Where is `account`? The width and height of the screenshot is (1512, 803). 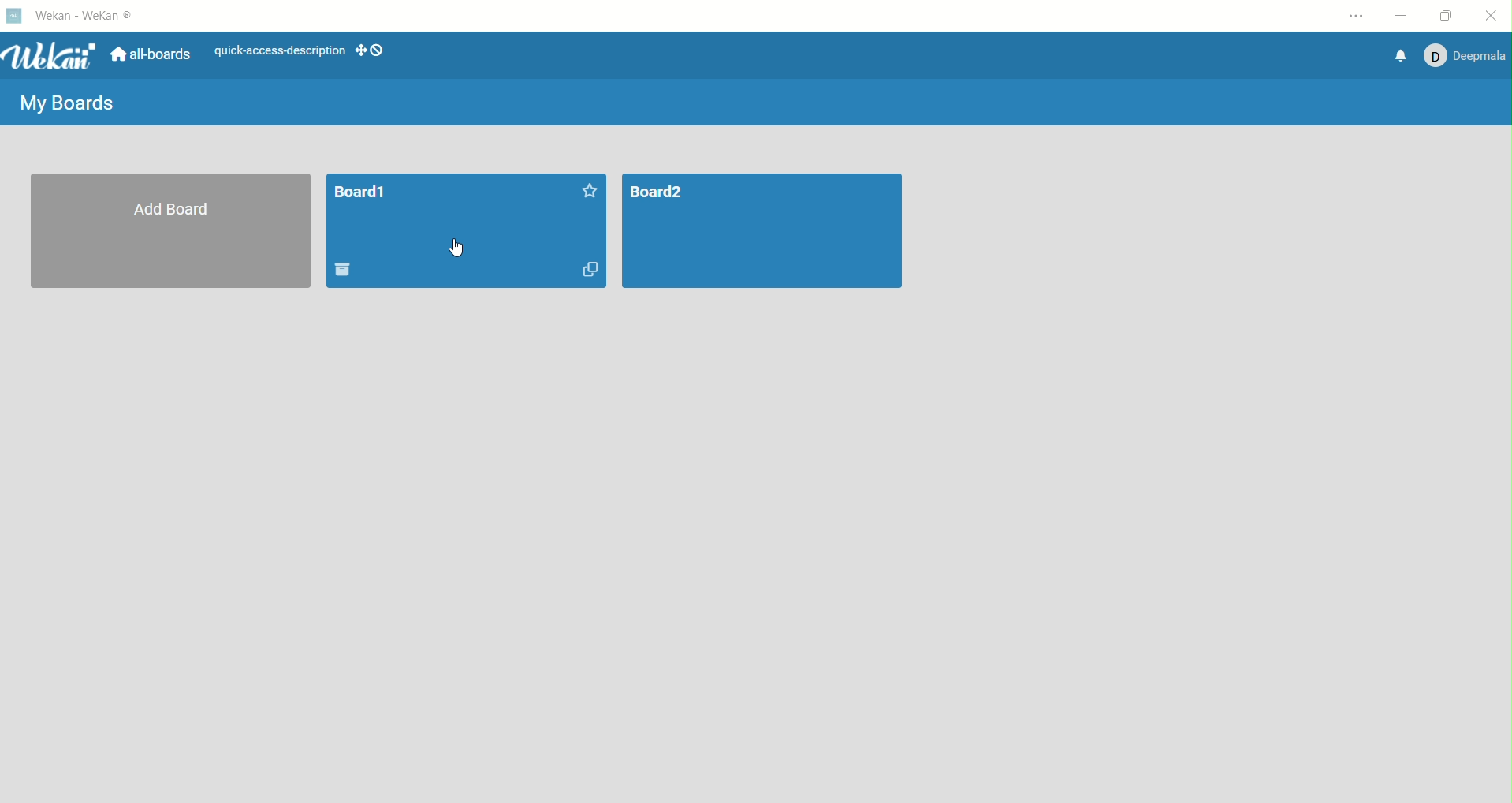
account is located at coordinates (1469, 57).